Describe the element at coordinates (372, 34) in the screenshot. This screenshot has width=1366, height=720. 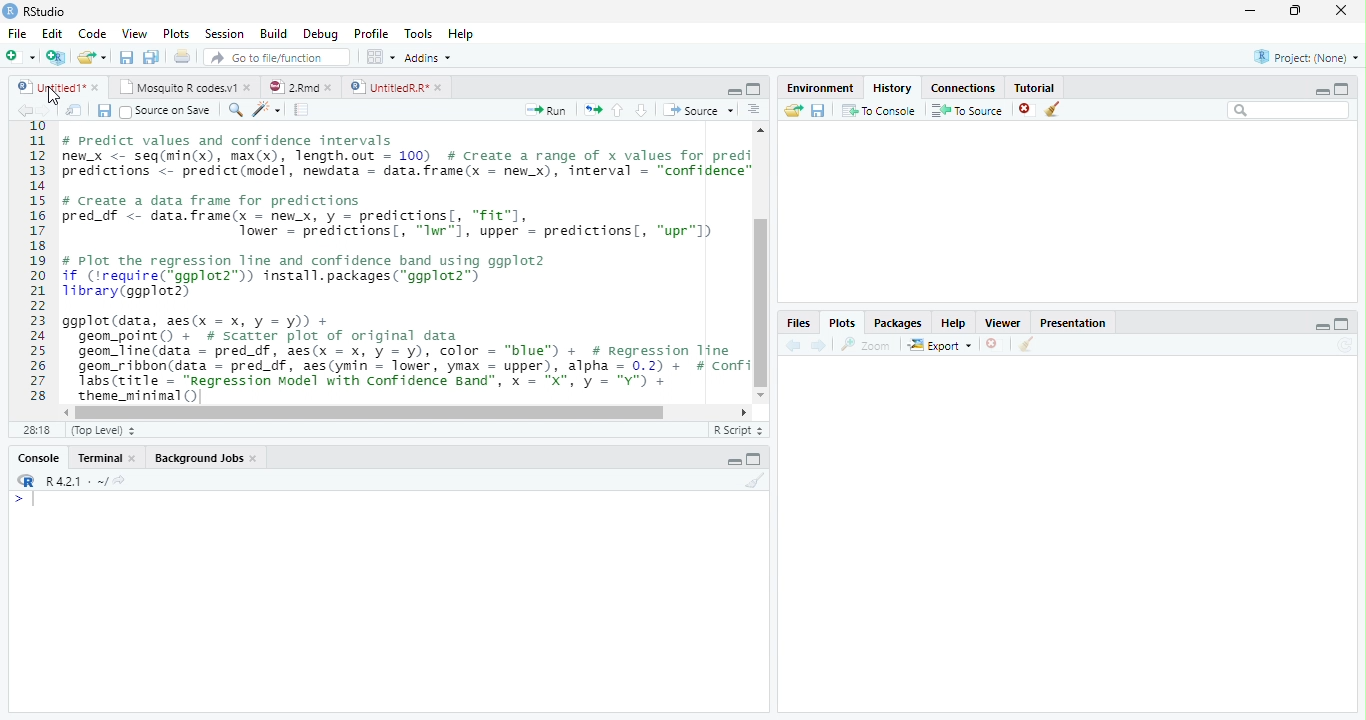
I see `Profile` at that location.